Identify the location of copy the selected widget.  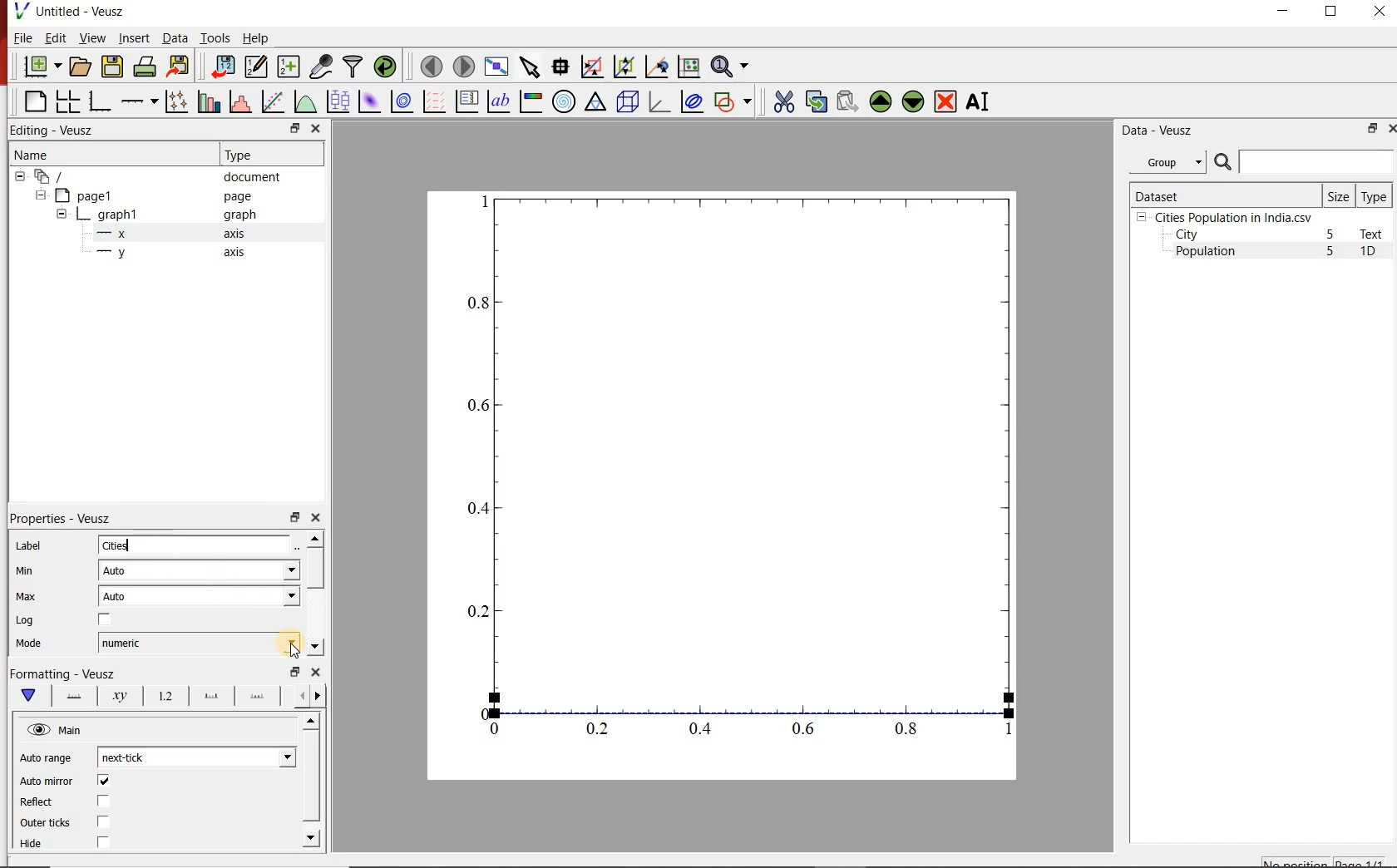
(815, 100).